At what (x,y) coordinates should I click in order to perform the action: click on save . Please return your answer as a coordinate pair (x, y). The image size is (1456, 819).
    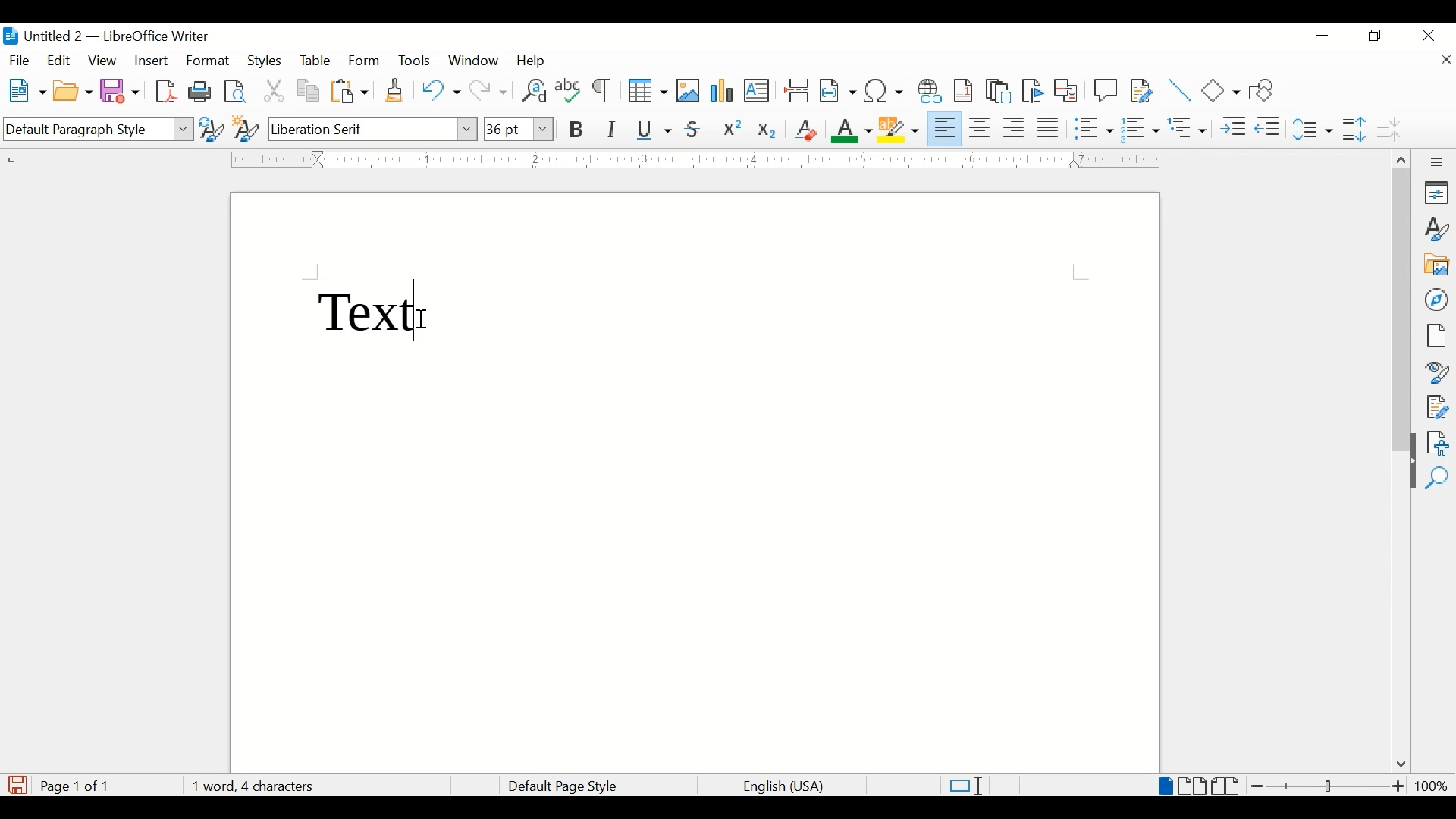
    Looking at the image, I should click on (121, 90).